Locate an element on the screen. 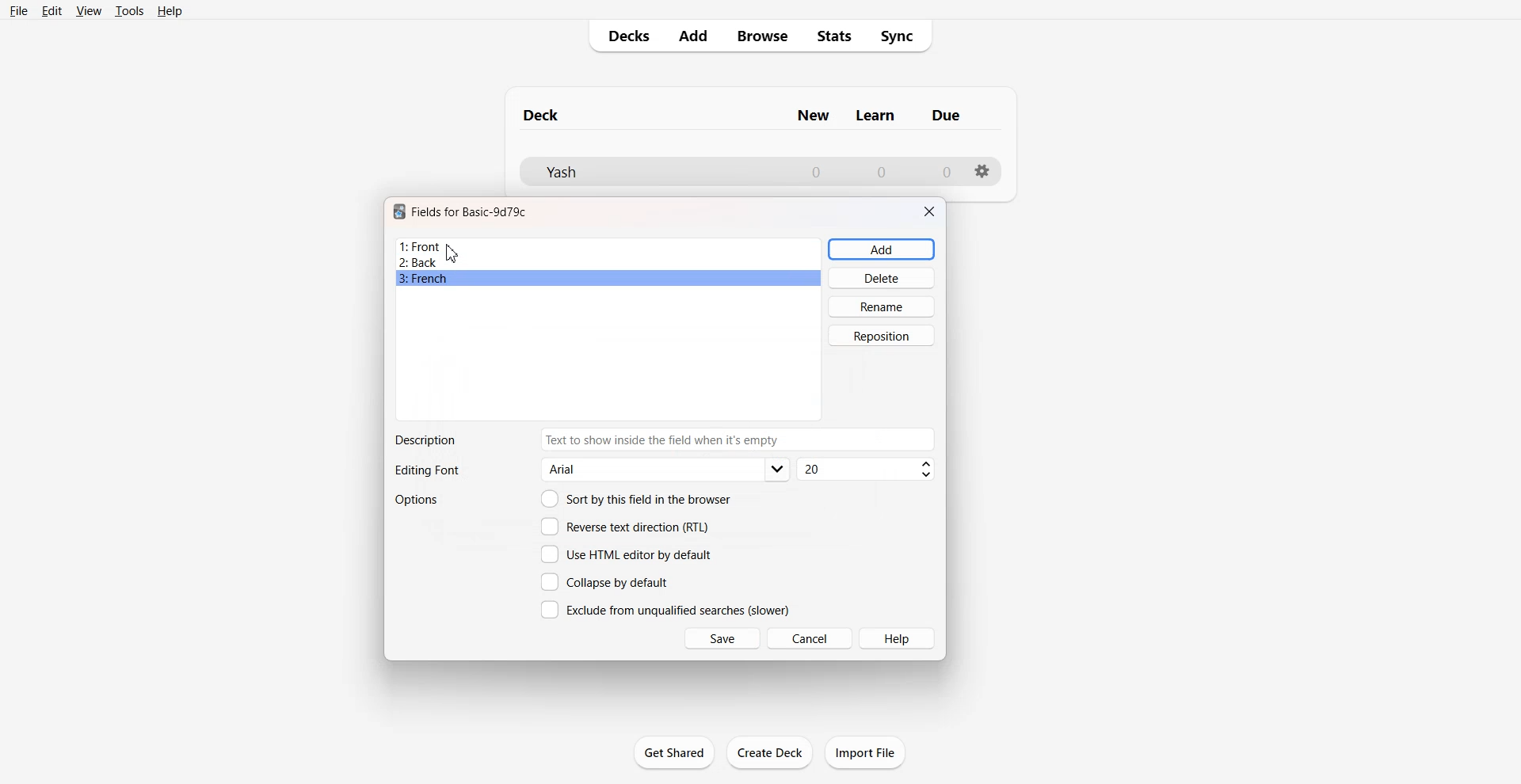 The height and width of the screenshot is (784, 1521). Tools is located at coordinates (129, 10).